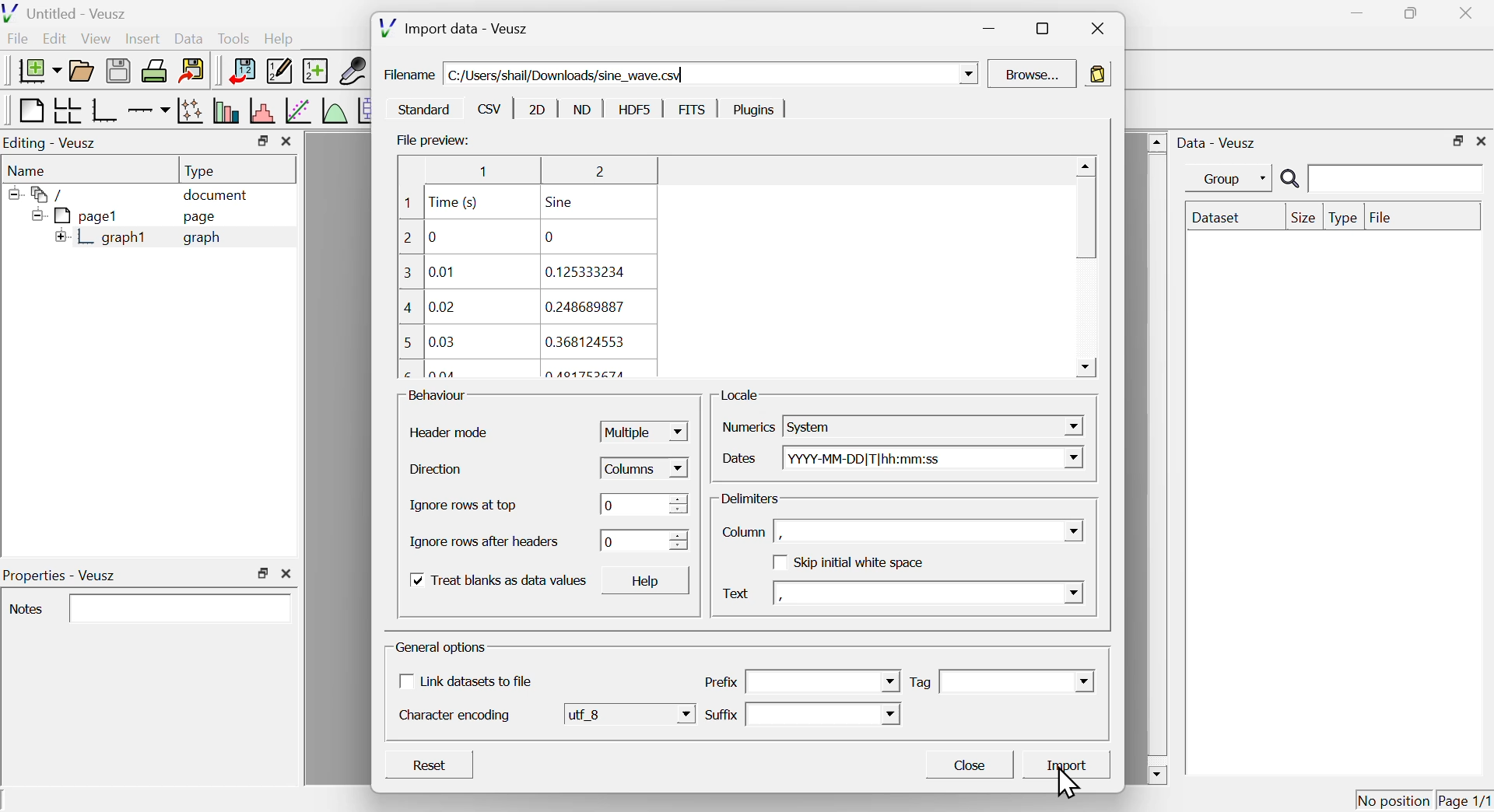 The width and height of the screenshot is (1494, 812). I want to click on text box, so click(823, 682).